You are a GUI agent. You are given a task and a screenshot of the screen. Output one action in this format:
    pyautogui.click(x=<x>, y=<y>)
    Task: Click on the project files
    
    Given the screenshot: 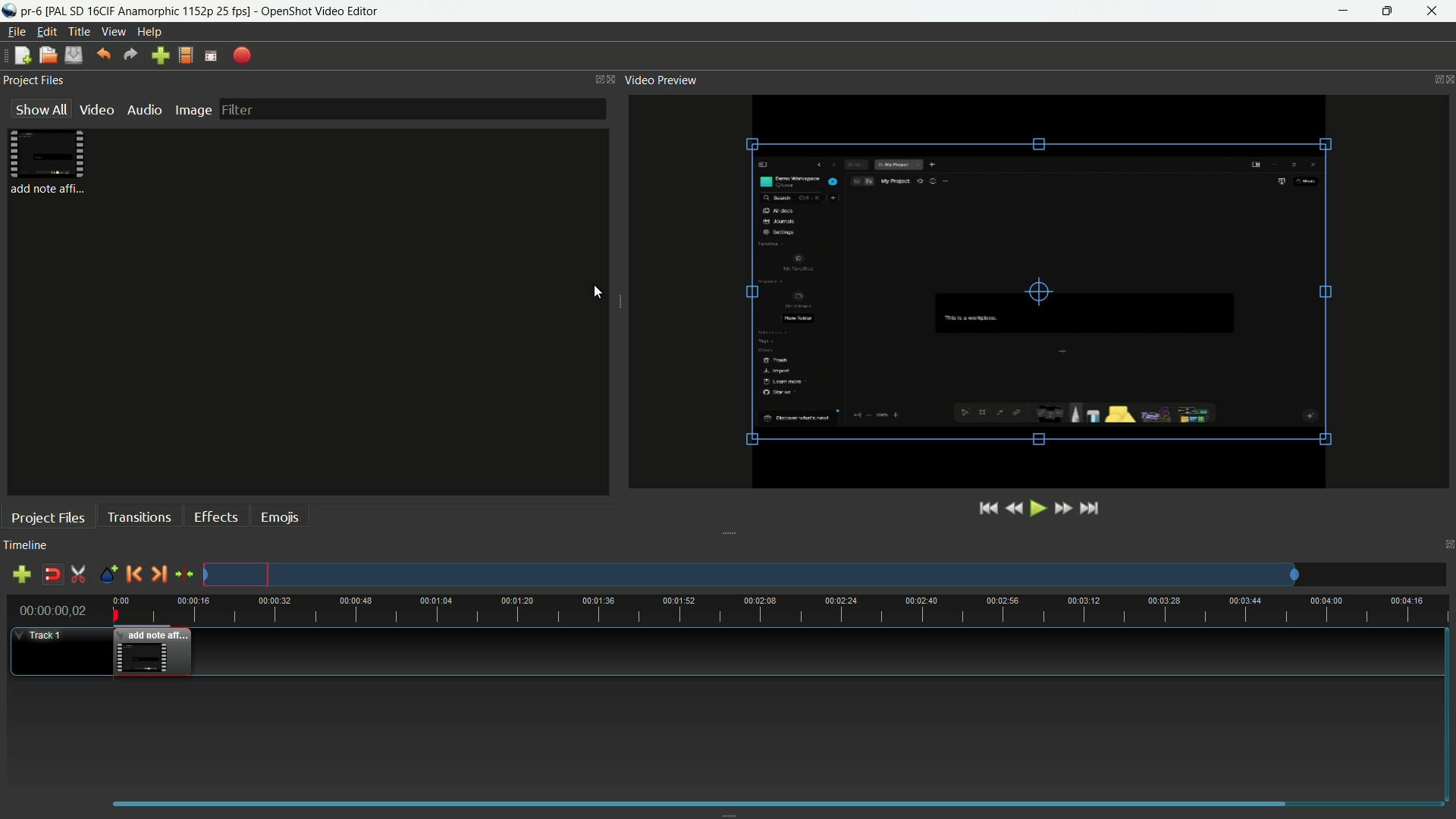 What is the action you would take?
    pyautogui.click(x=34, y=80)
    